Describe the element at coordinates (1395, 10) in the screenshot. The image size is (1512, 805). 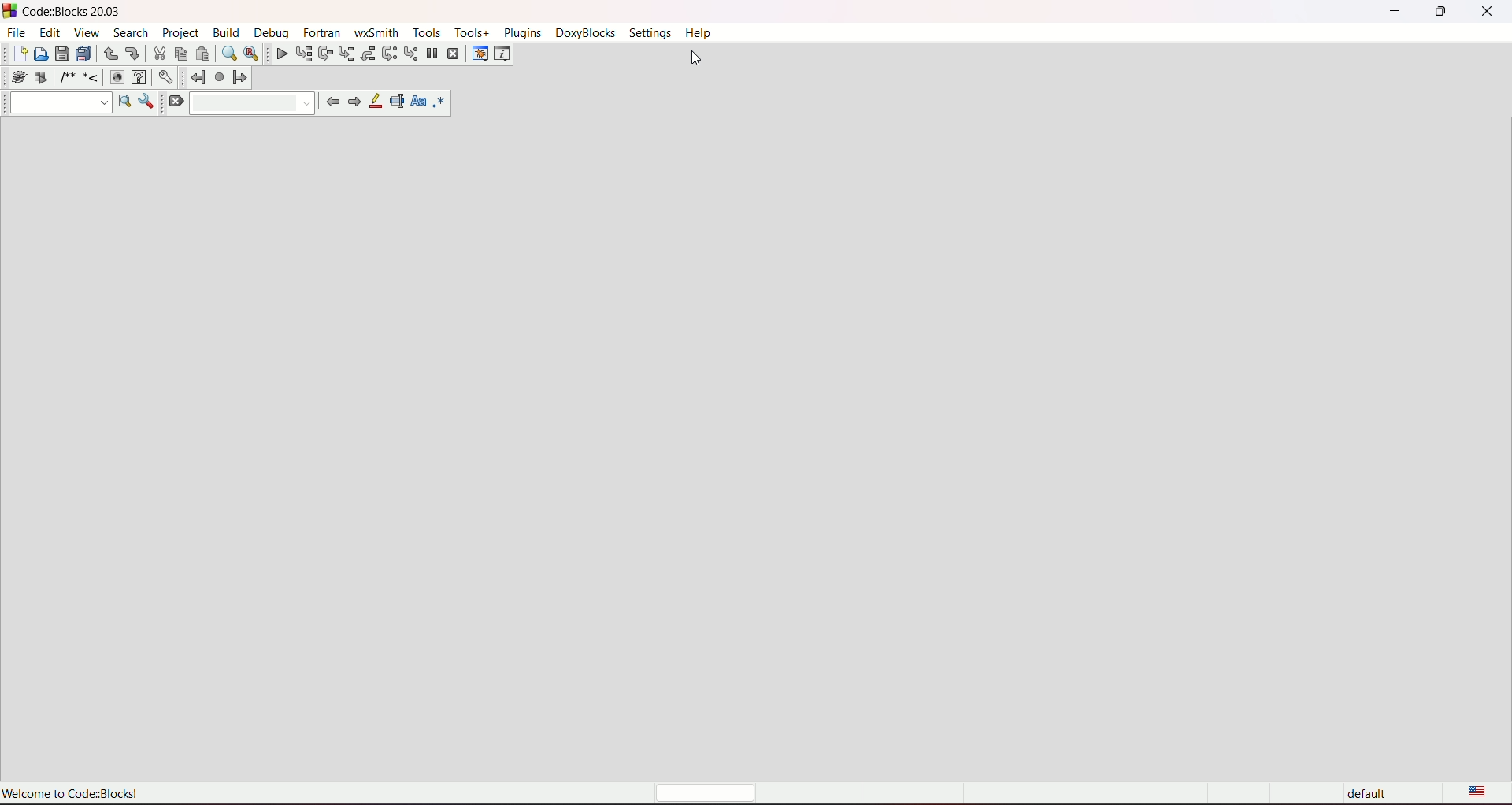
I see `minimize` at that location.